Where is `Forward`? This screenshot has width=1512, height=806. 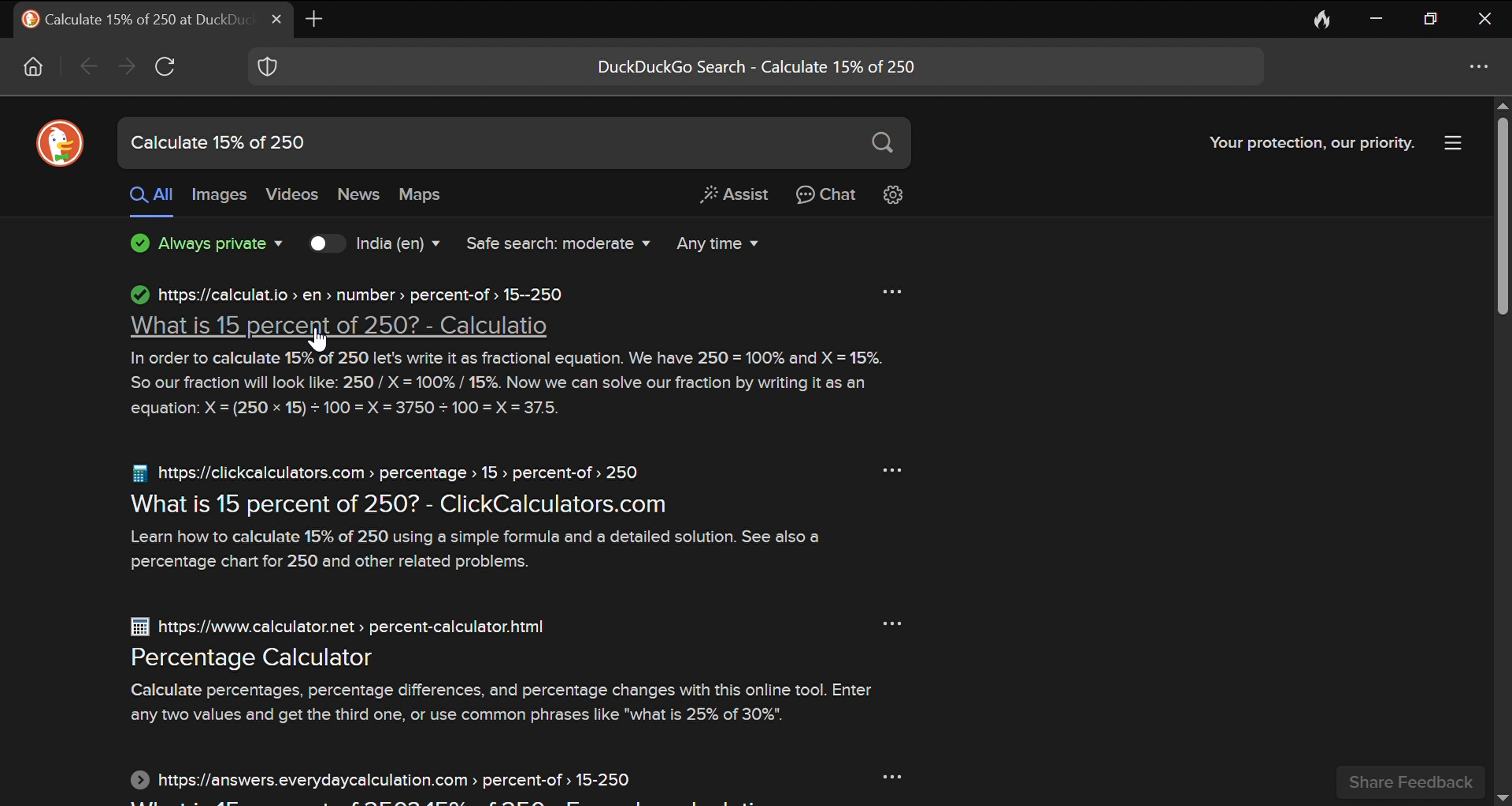
Forward is located at coordinates (127, 66).